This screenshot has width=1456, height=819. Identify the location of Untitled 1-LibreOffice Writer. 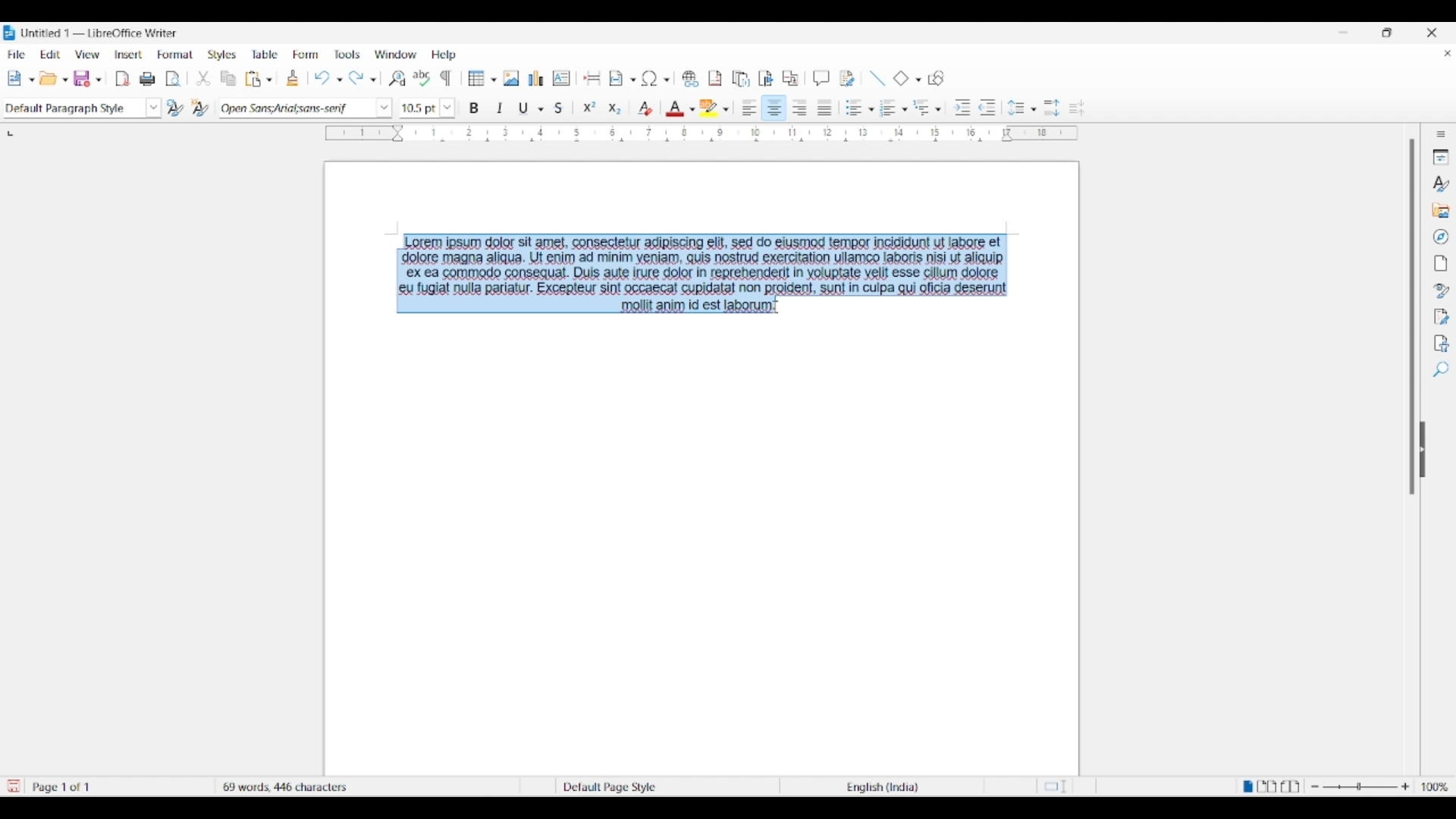
(102, 33).